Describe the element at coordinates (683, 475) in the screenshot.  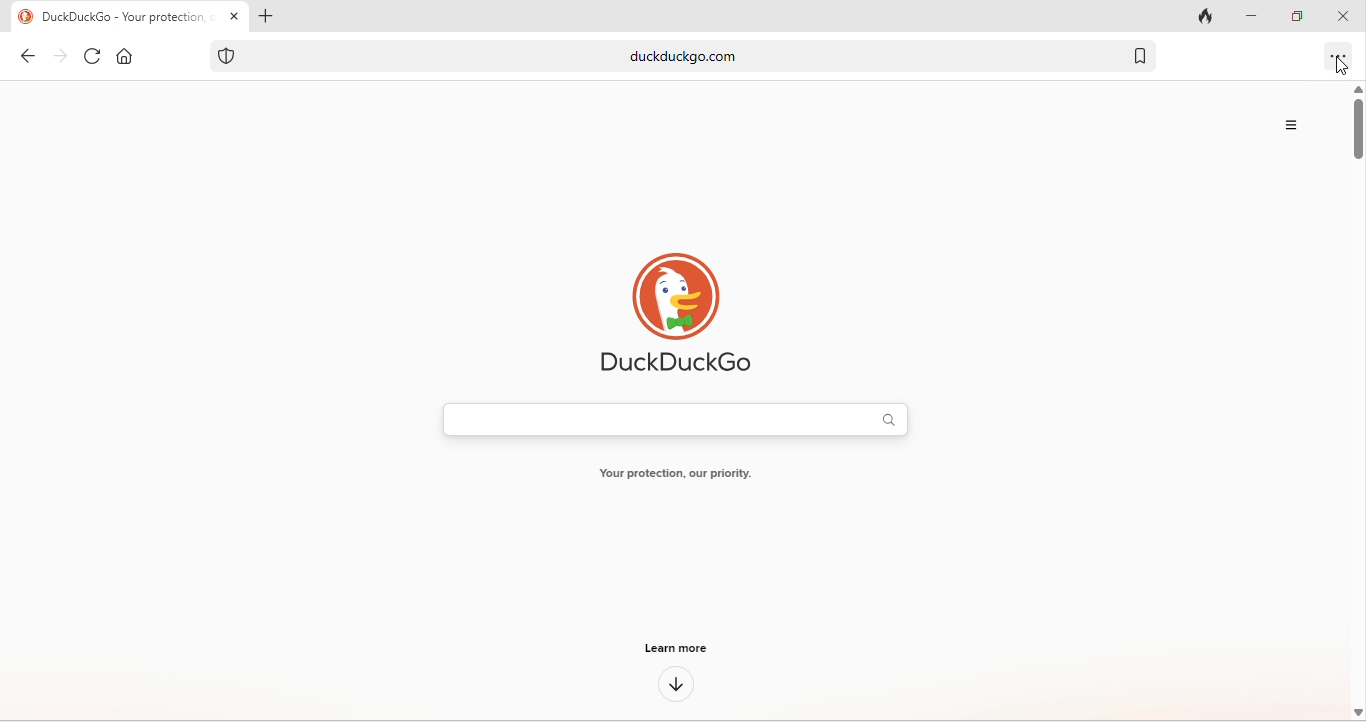
I see `your protection our priority` at that location.